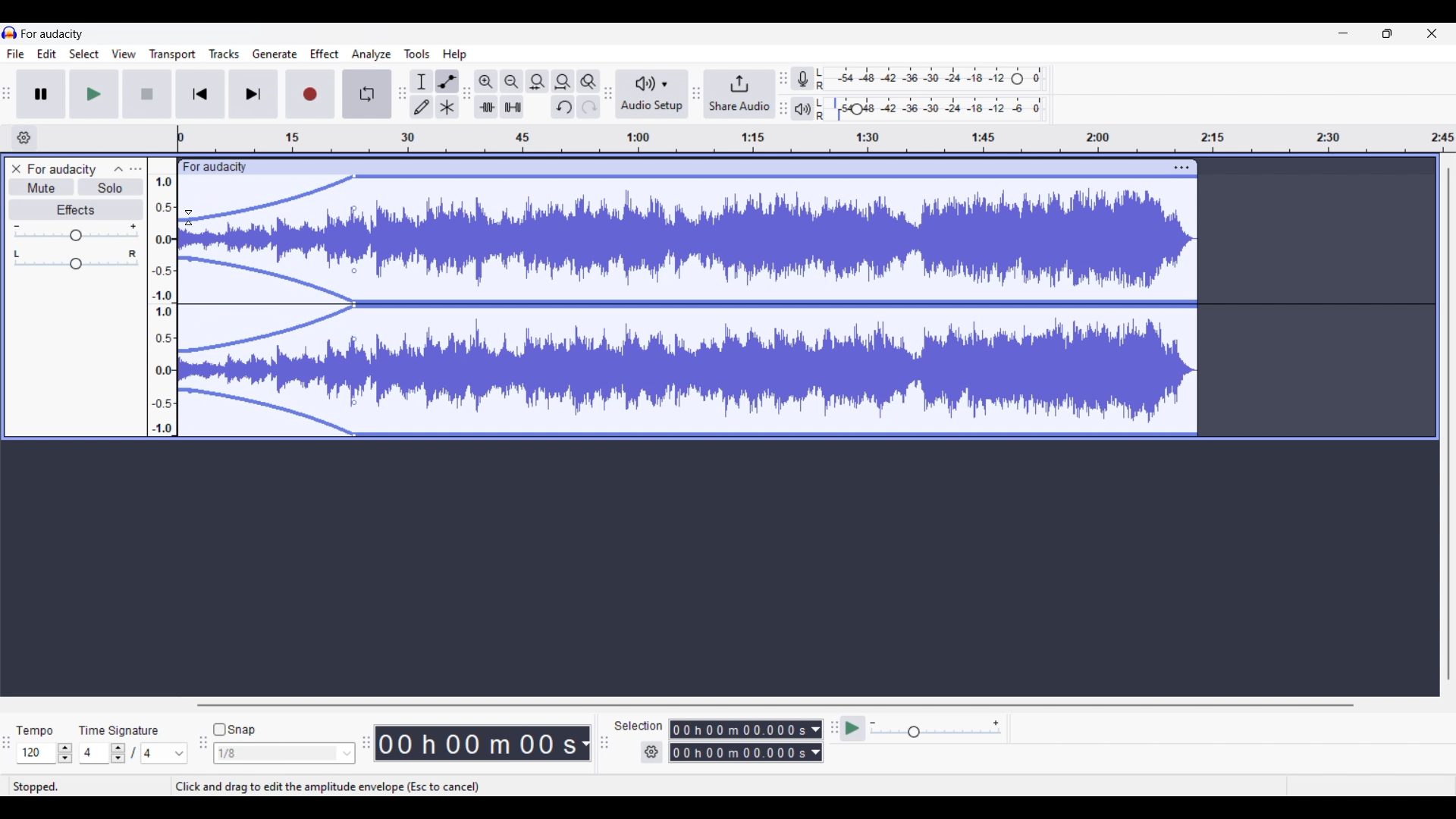 This screenshot has height=819, width=1456. Describe the element at coordinates (36, 787) in the screenshot. I see `stopped` at that location.